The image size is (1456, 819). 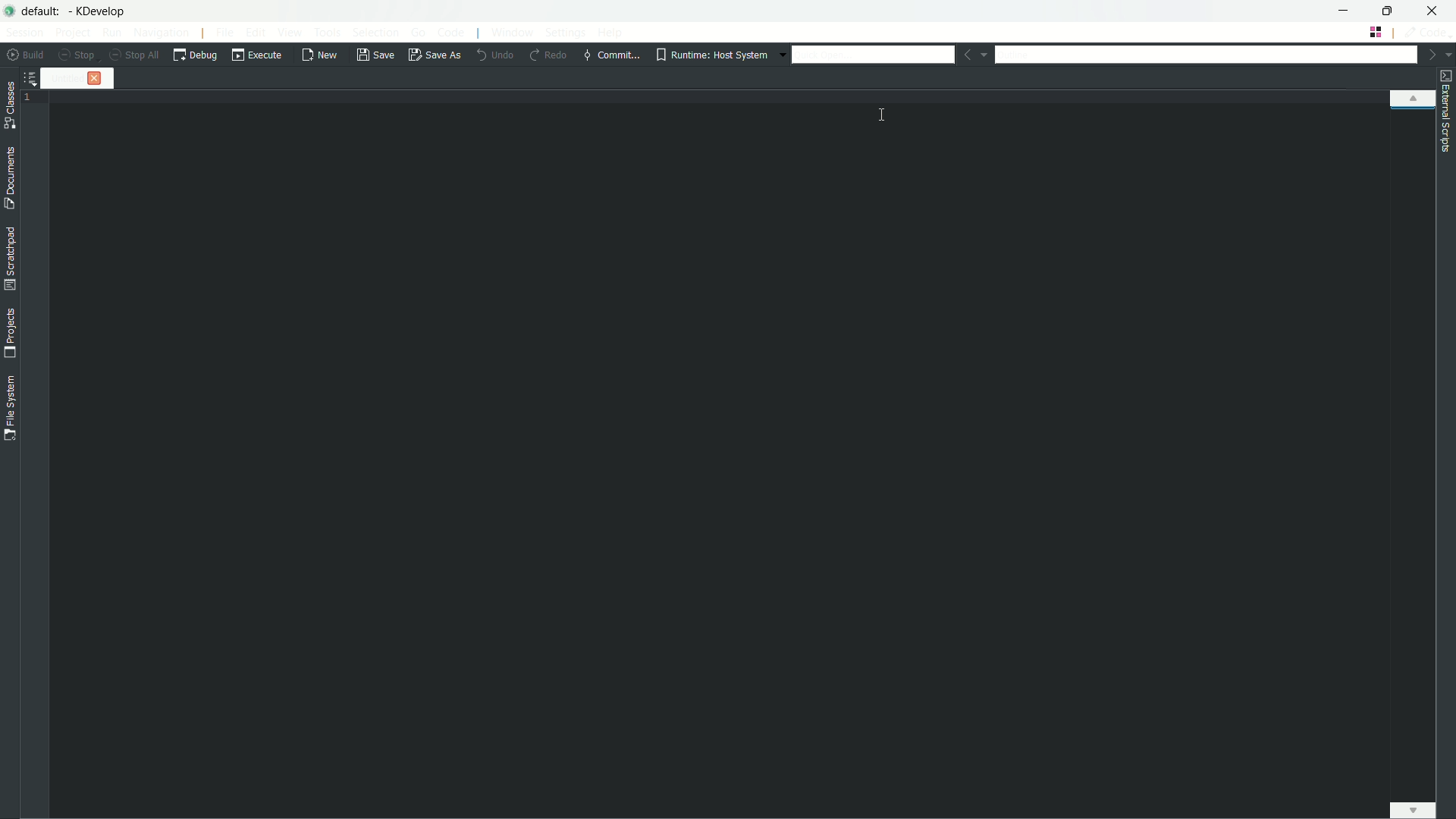 I want to click on stop  all, so click(x=134, y=55).